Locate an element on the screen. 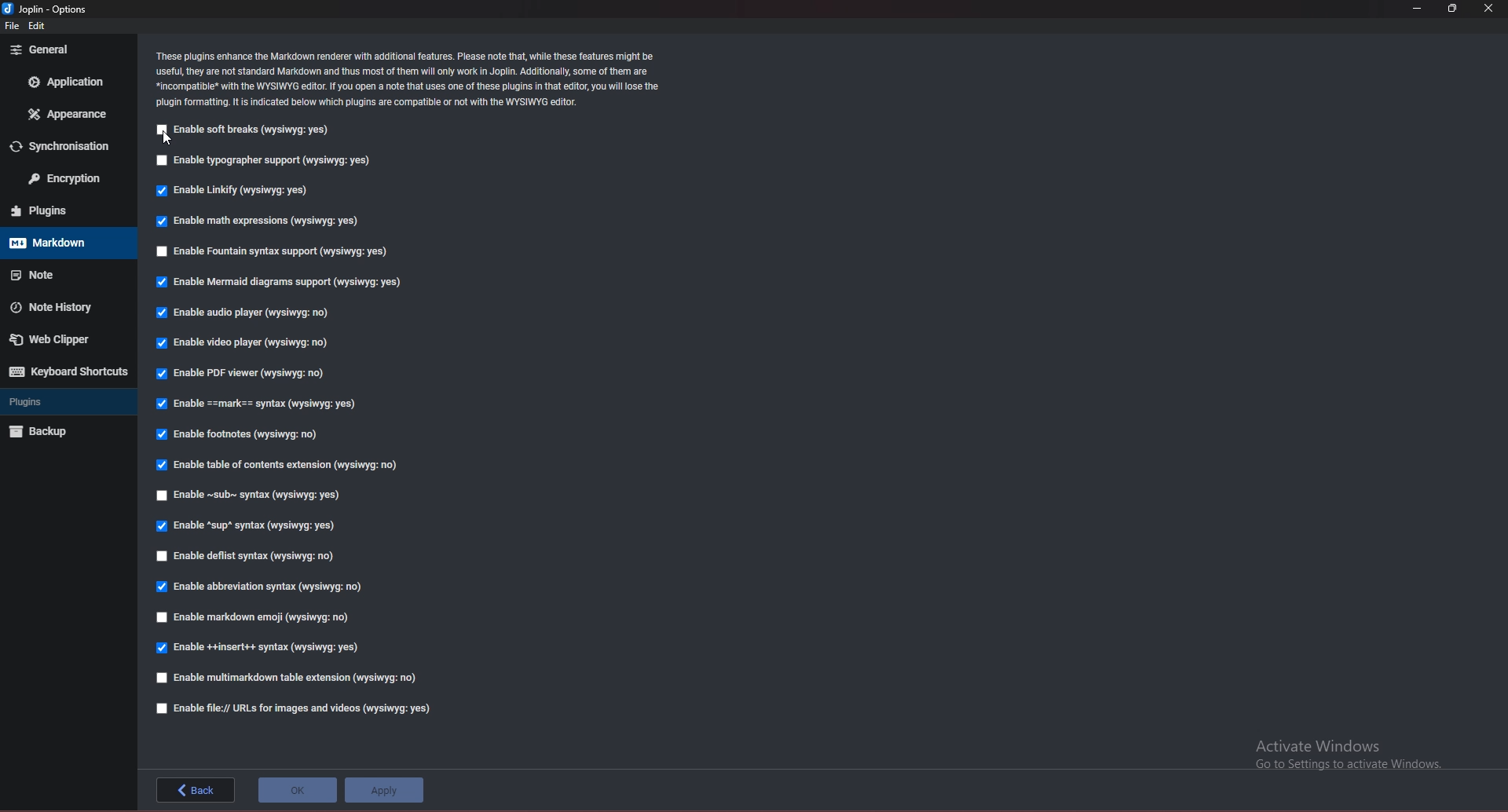 The height and width of the screenshot is (812, 1508). back is located at coordinates (196, 789).